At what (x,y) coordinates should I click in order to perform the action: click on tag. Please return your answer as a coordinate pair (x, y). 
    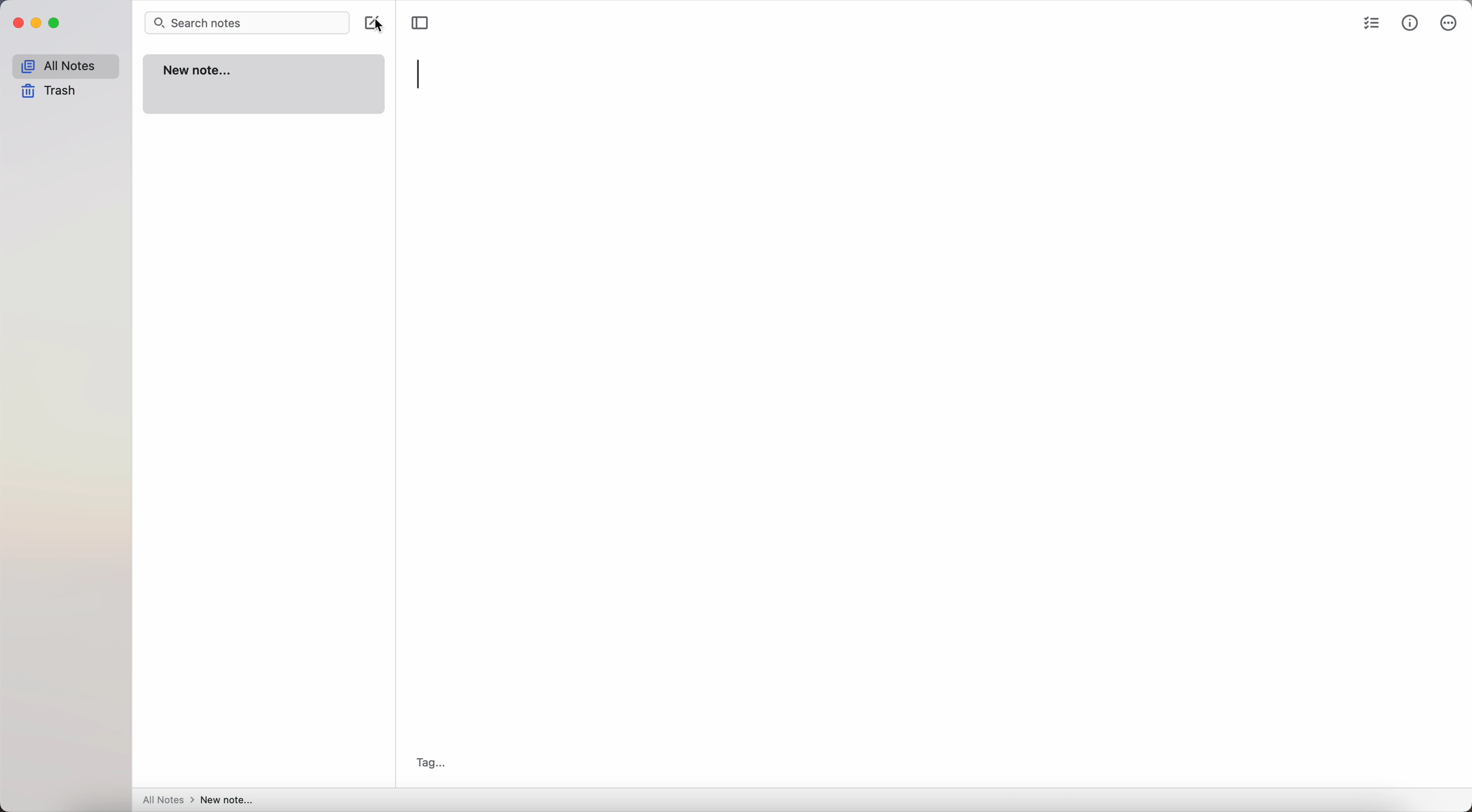
    Looking at the image, I should click on (428, 761).